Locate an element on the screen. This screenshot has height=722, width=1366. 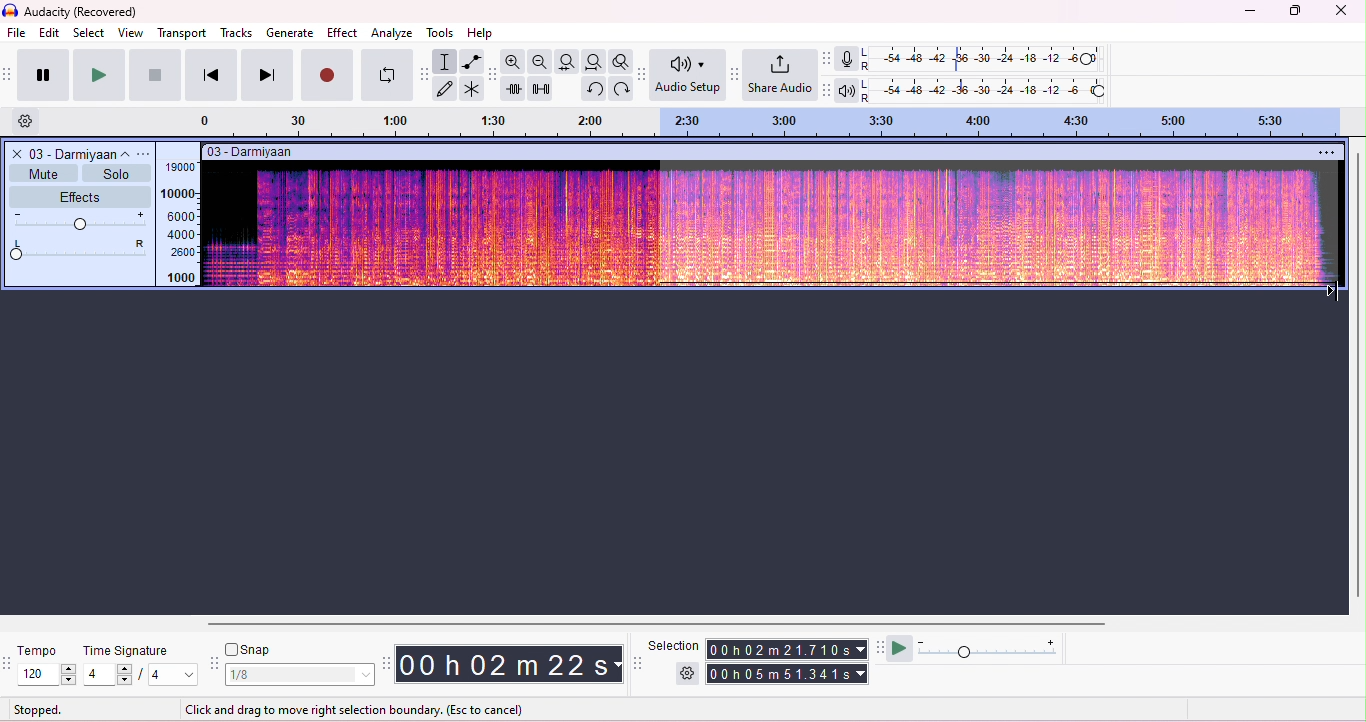
volume is located at coordinates (81, 222).